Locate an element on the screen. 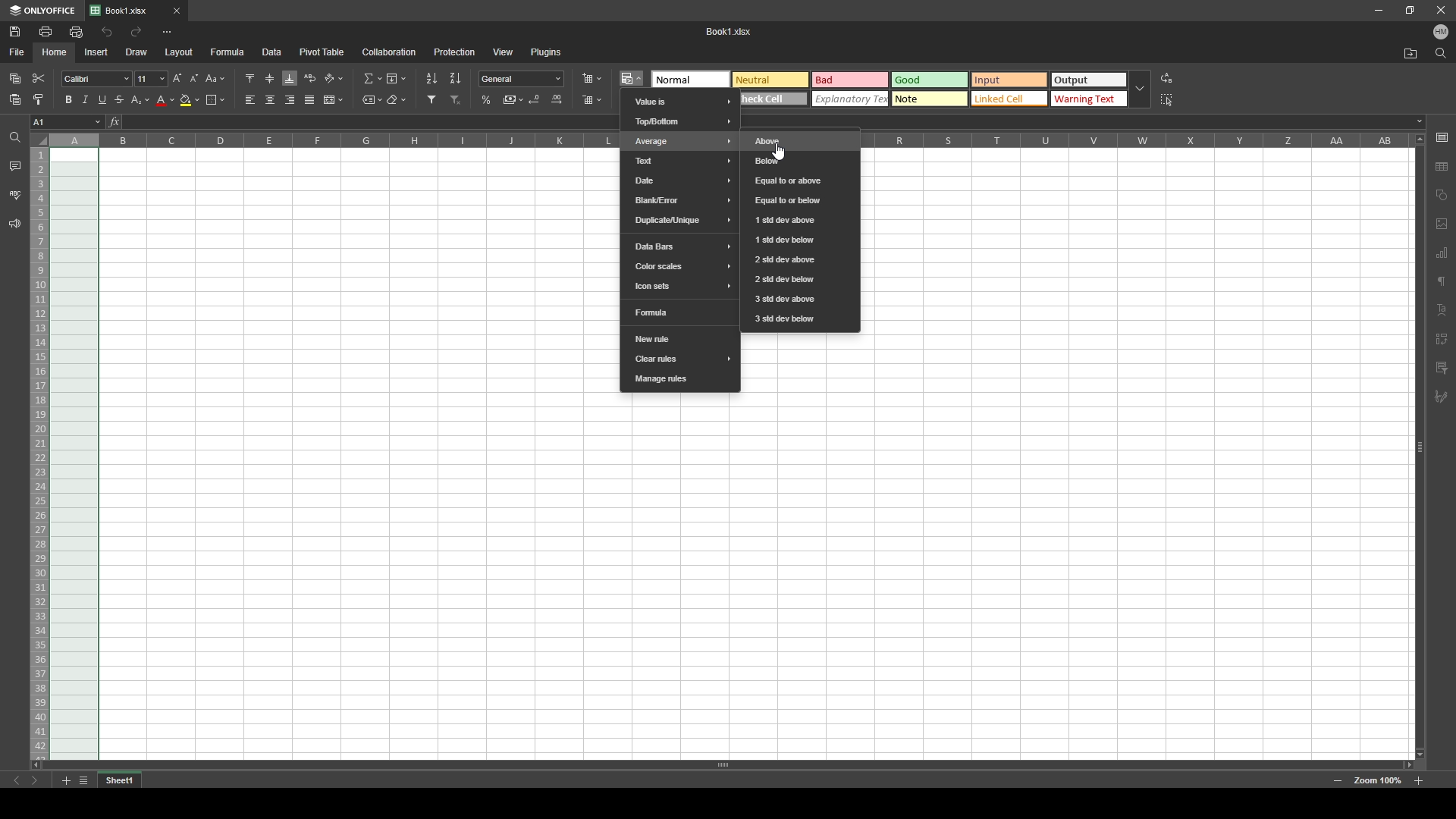  add sheet is located at coordinates (65, 781).